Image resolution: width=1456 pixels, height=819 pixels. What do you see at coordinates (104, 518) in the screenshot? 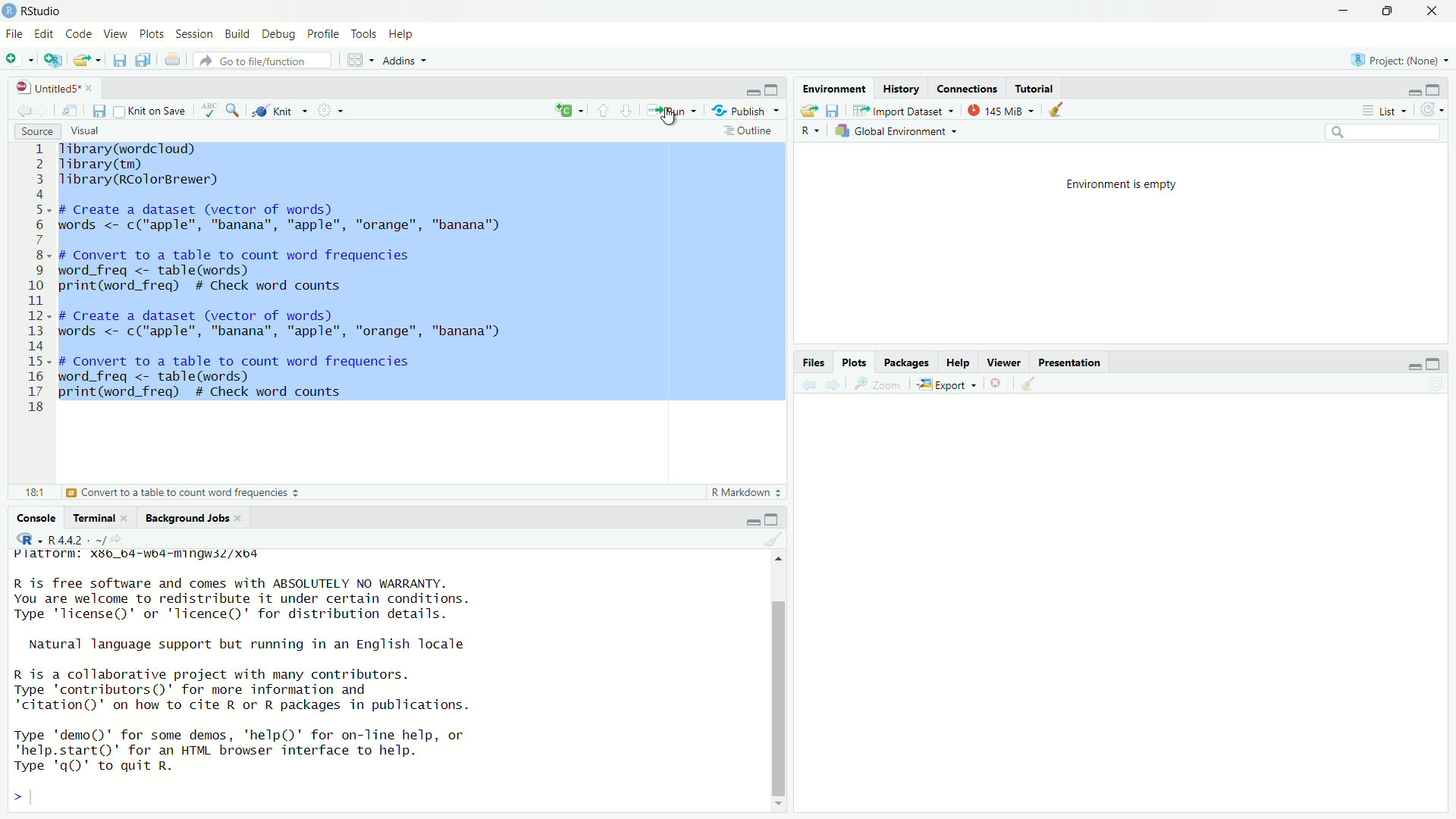
I see `Terminal` at bounding box center [104, 518].